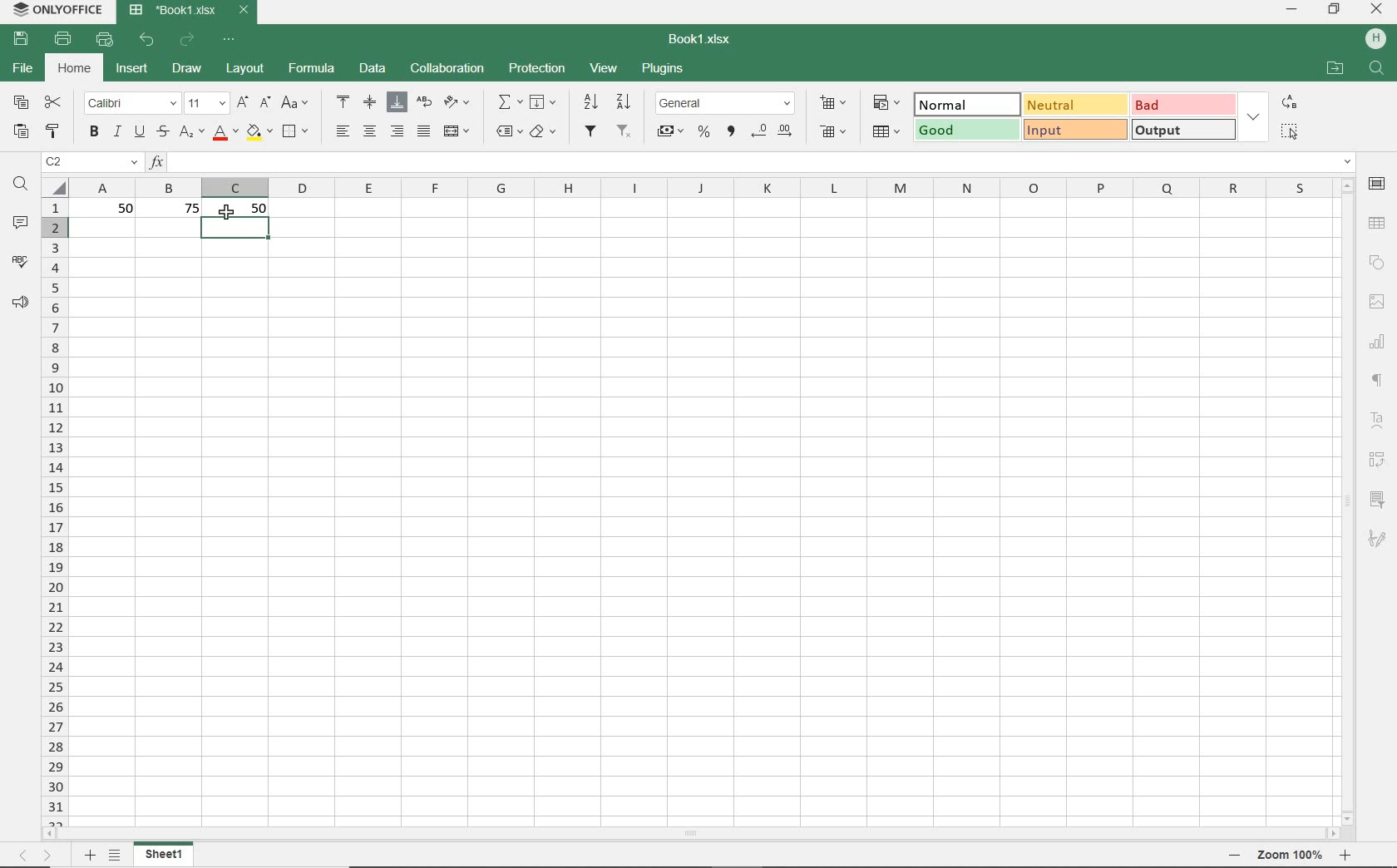 Image resolution: width=1397 pixels, height=868 pixels. I want to click on comments, so click(22, 220).